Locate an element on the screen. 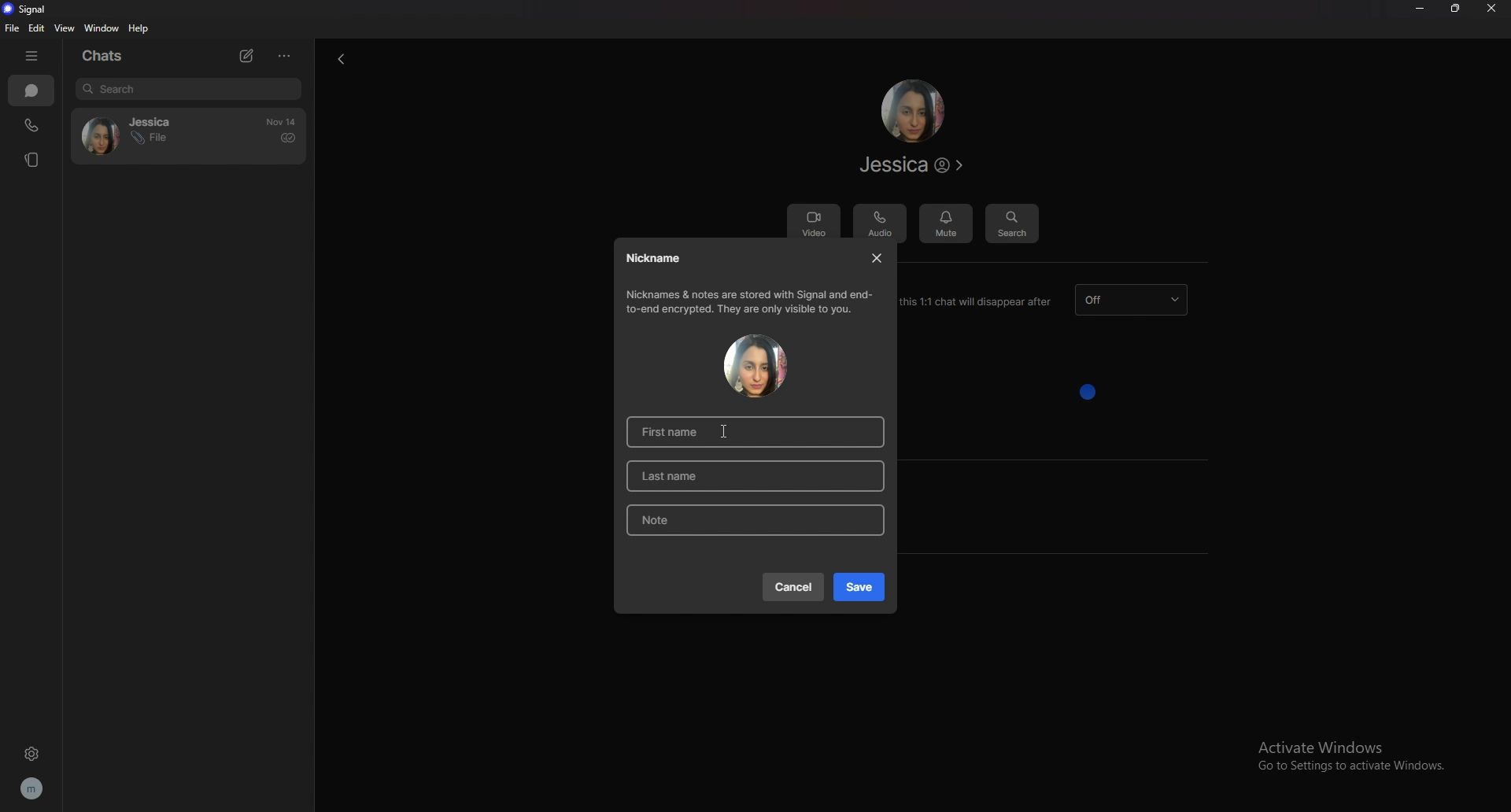 The image size is (1511, 812). contact info is located at coordinates (911, 164).